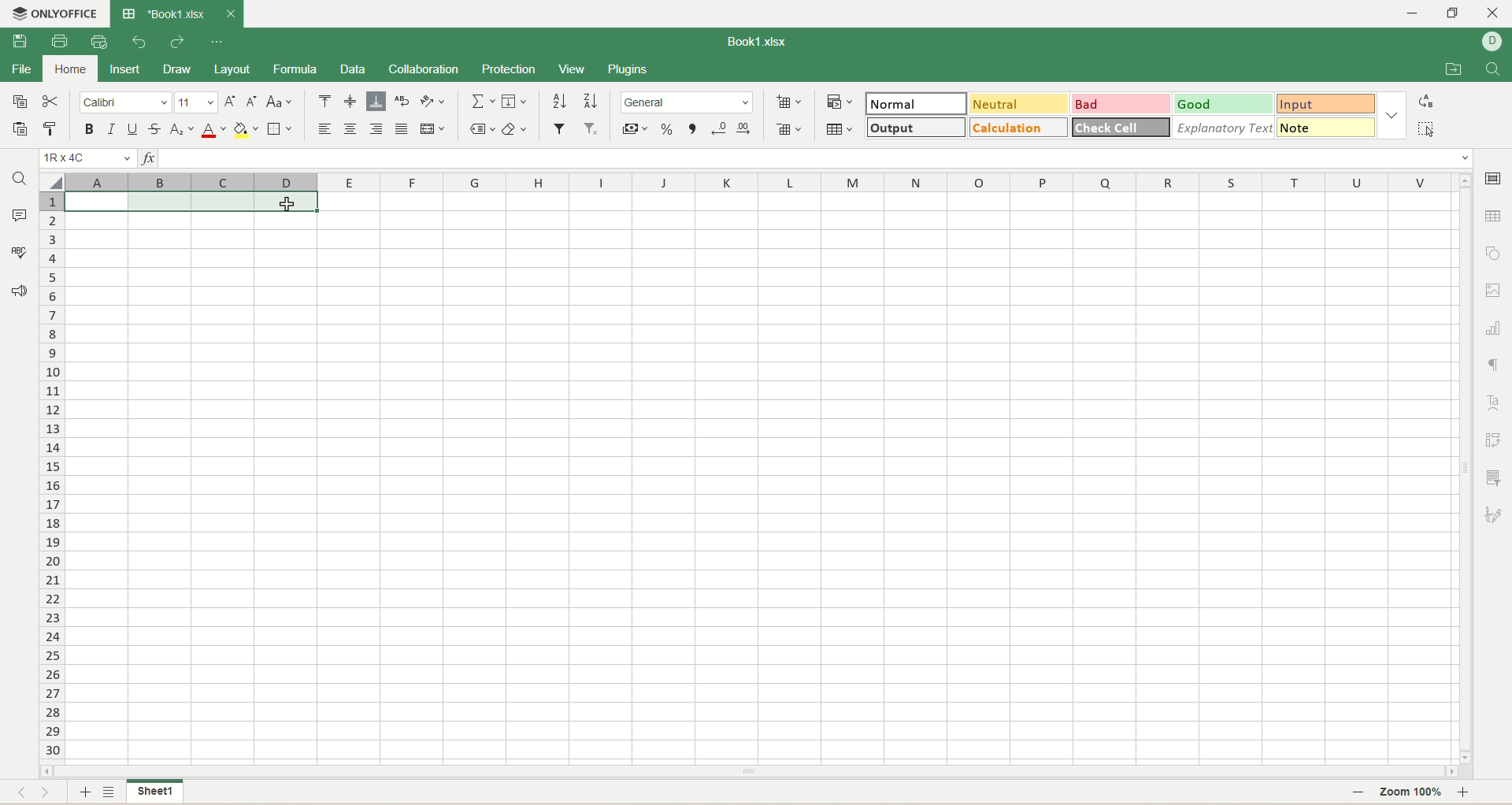  What do you see at coordinates (750, 772) in the screenshot?
I see `horizontal scroll bar` at bounding box center [750, 772].